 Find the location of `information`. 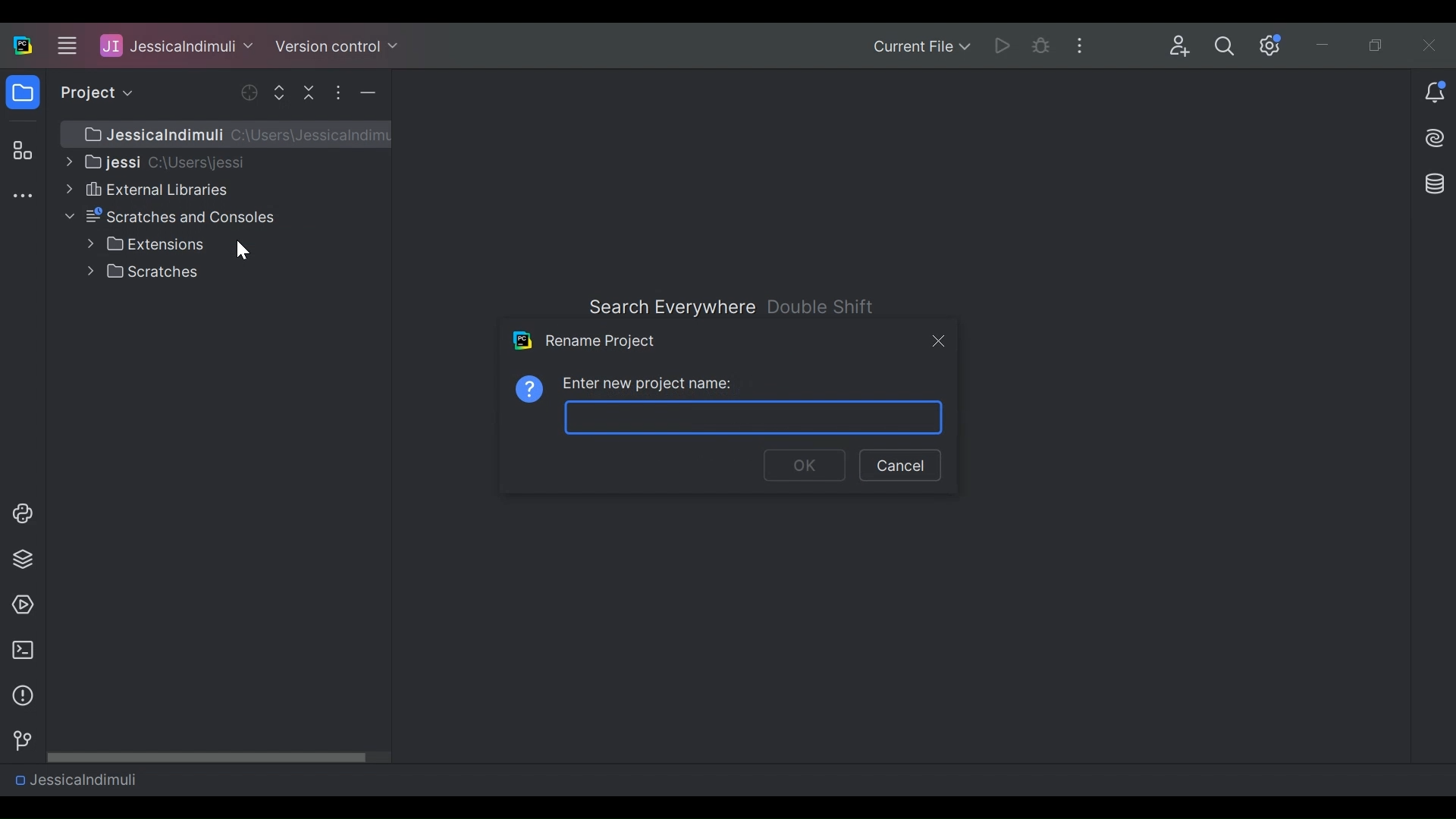

information is located at coordinates (19, 696).